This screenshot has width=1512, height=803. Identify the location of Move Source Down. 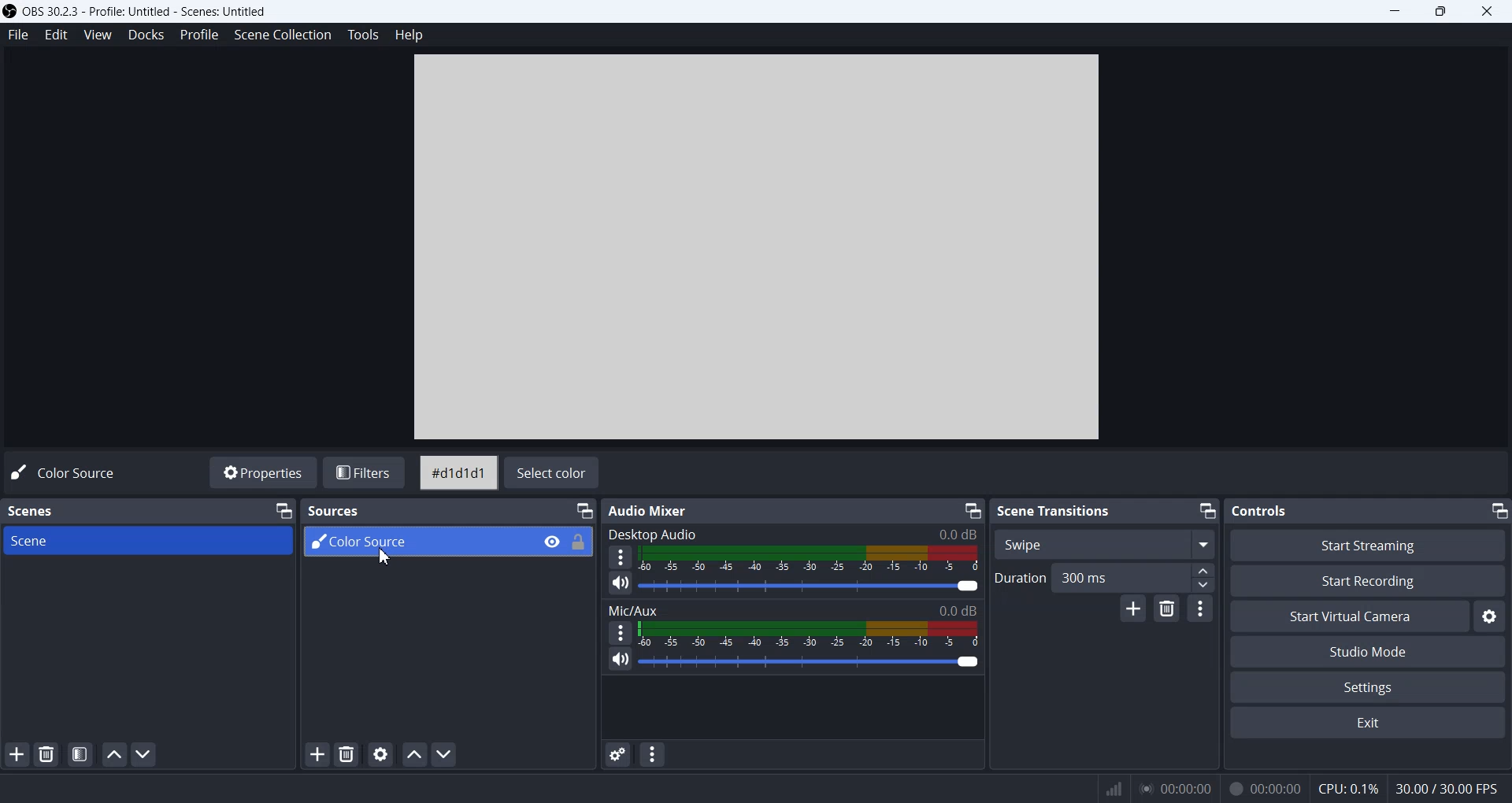
(446, 754).